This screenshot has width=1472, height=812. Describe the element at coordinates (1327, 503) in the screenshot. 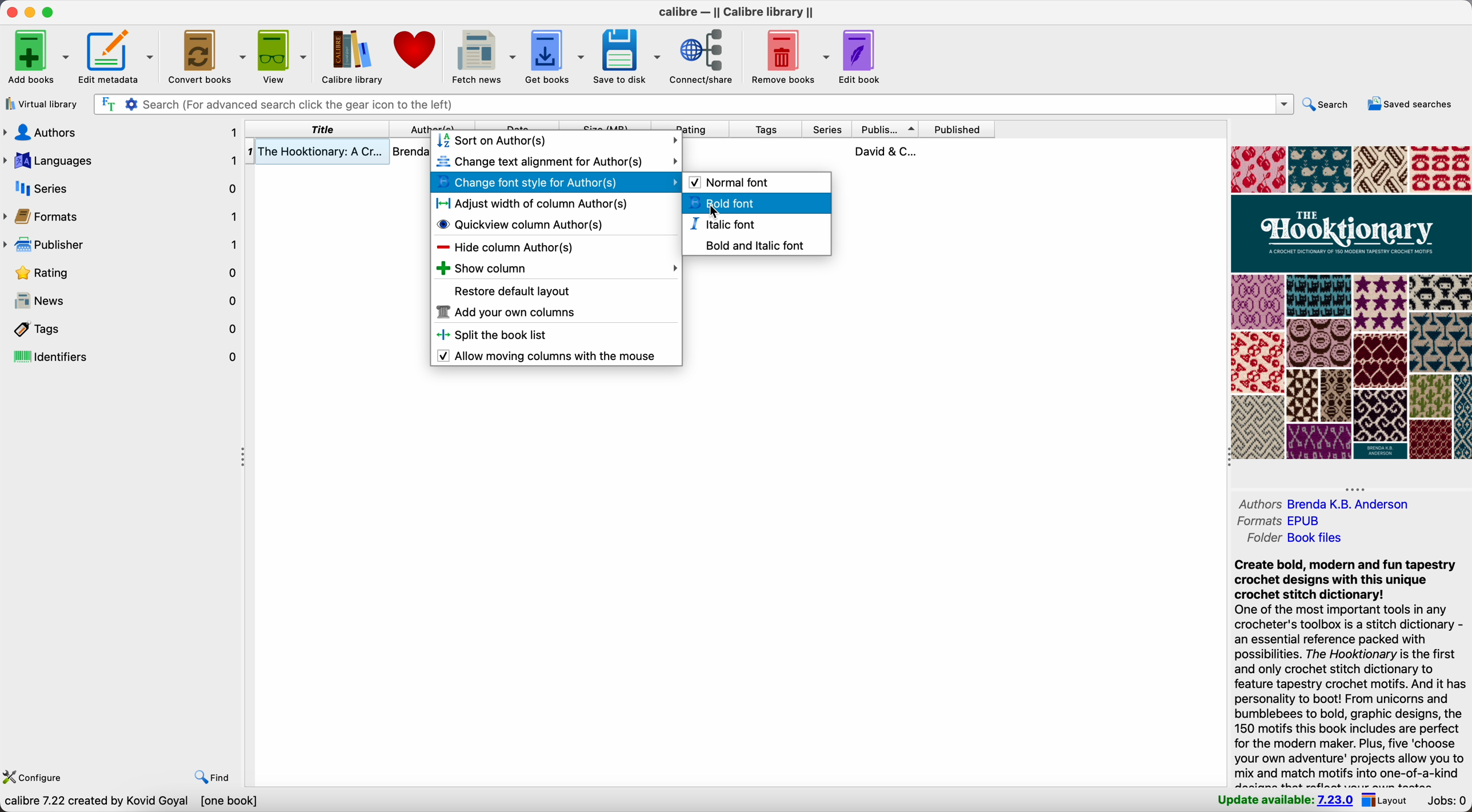

I see `authors` at that location.